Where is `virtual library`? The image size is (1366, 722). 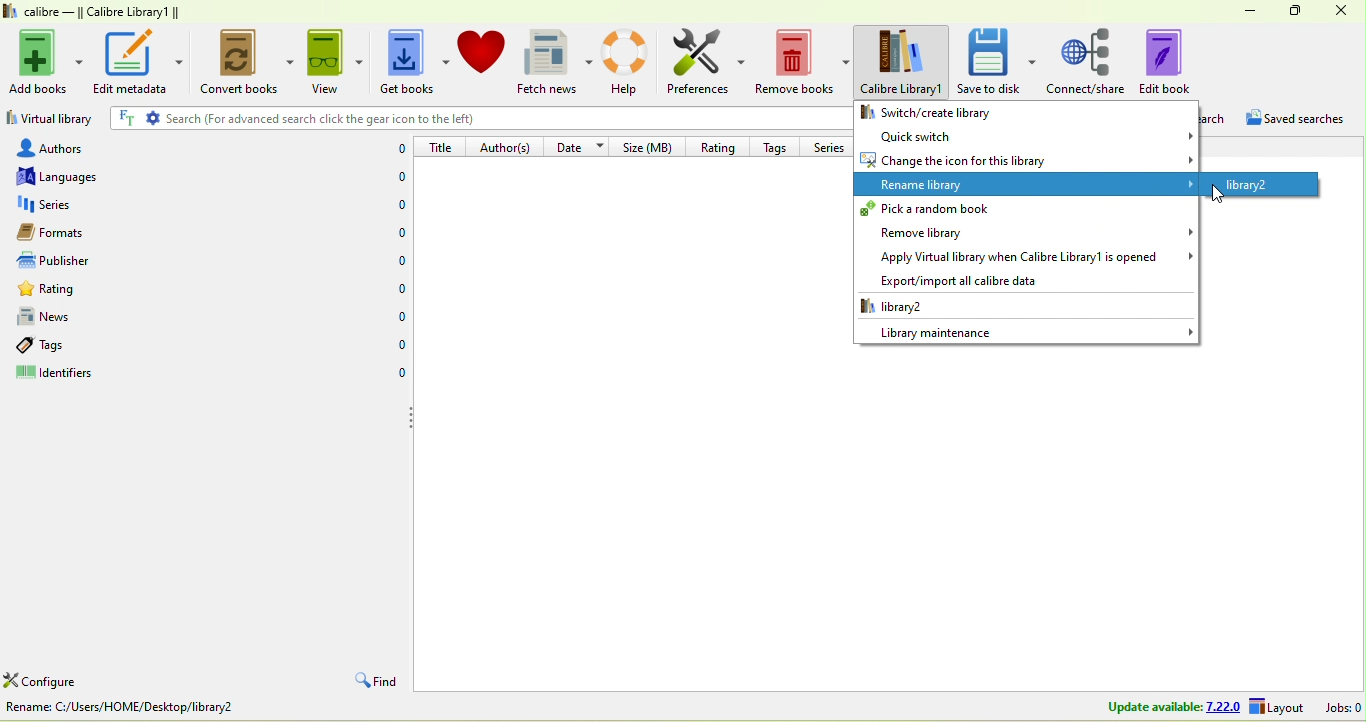 virtual library is located at coordinates (49, 121).